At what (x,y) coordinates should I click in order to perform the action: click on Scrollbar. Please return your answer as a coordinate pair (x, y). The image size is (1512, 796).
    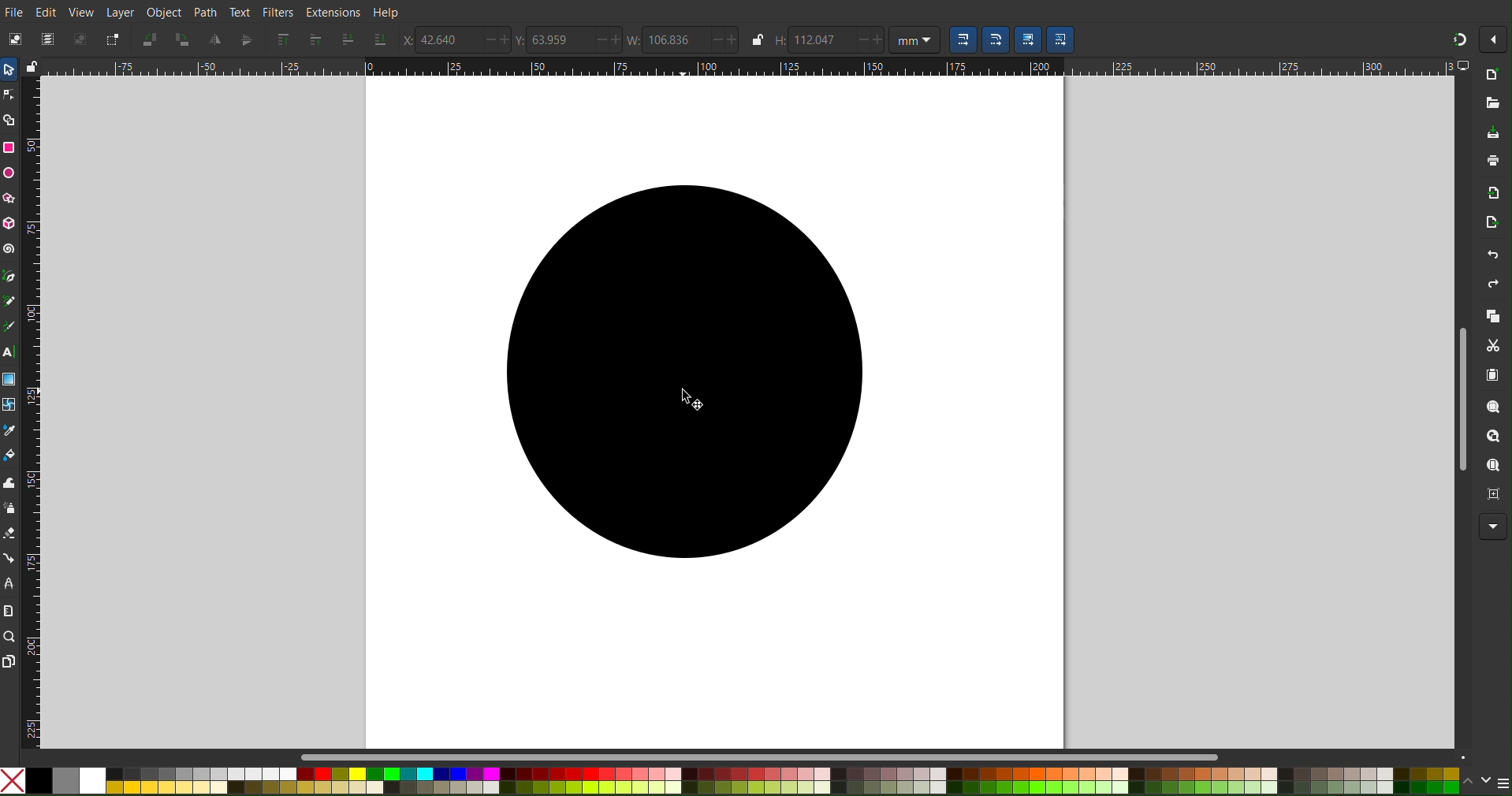
    Looking at the image, I should click on (1459, 395).